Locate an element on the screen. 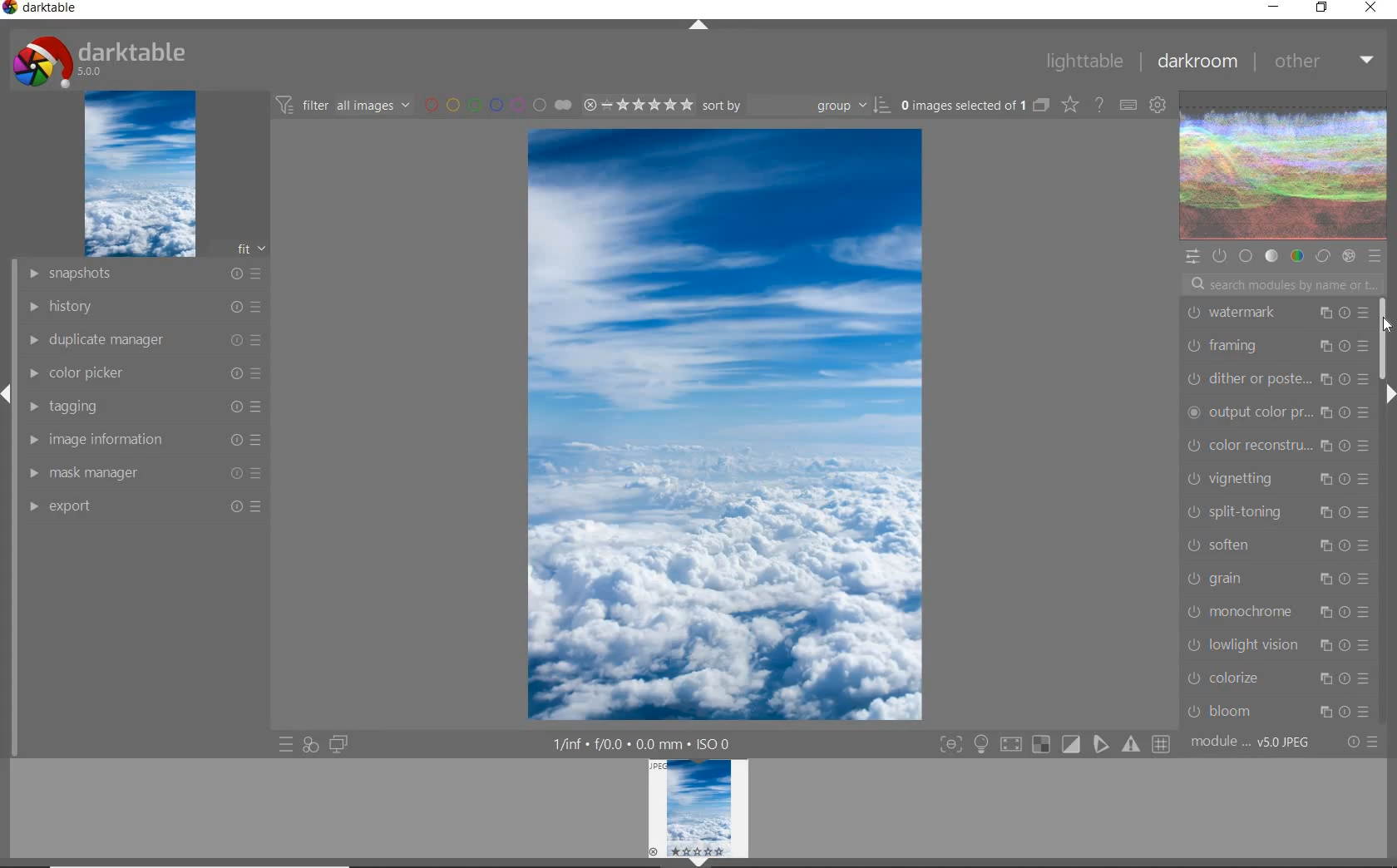  SELECTED IMAGE RANGE RATING is located at coordinates (635, 102).